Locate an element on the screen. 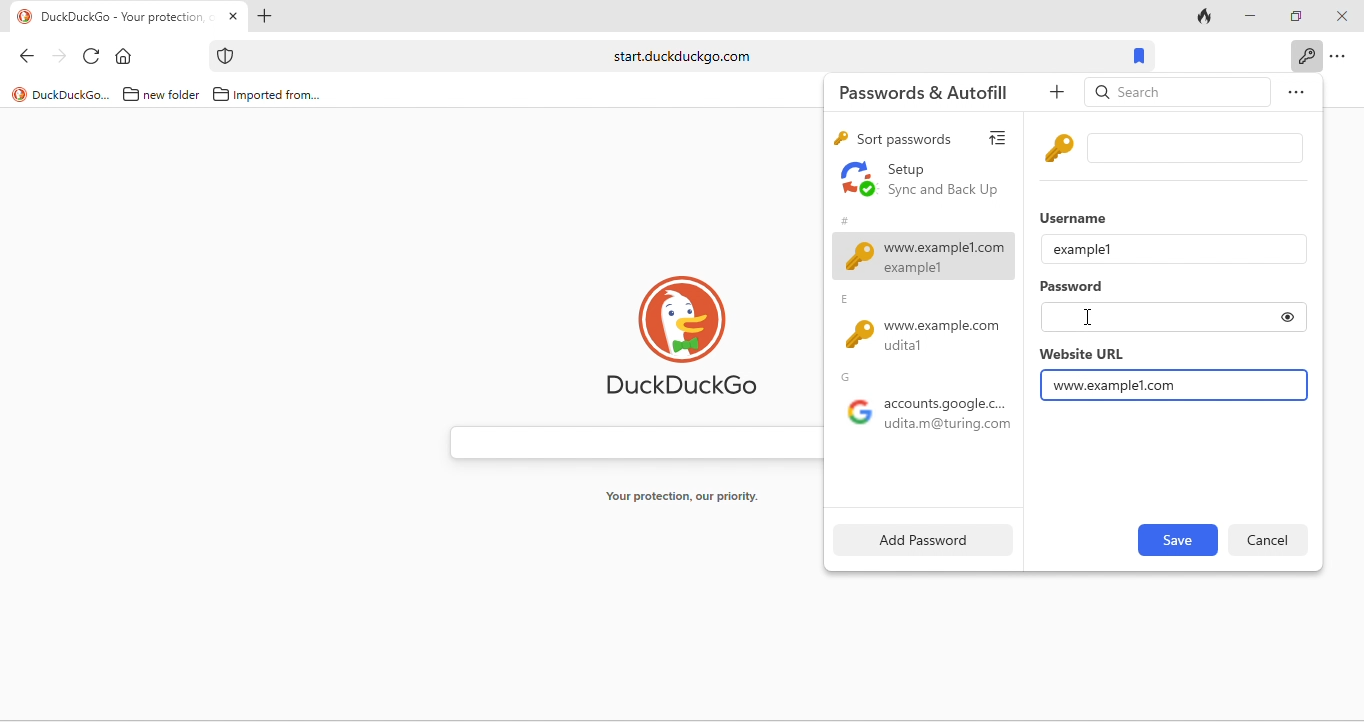 The width and height of the screenshot is (1364, 722). set up is located at coordinates (922, 181).